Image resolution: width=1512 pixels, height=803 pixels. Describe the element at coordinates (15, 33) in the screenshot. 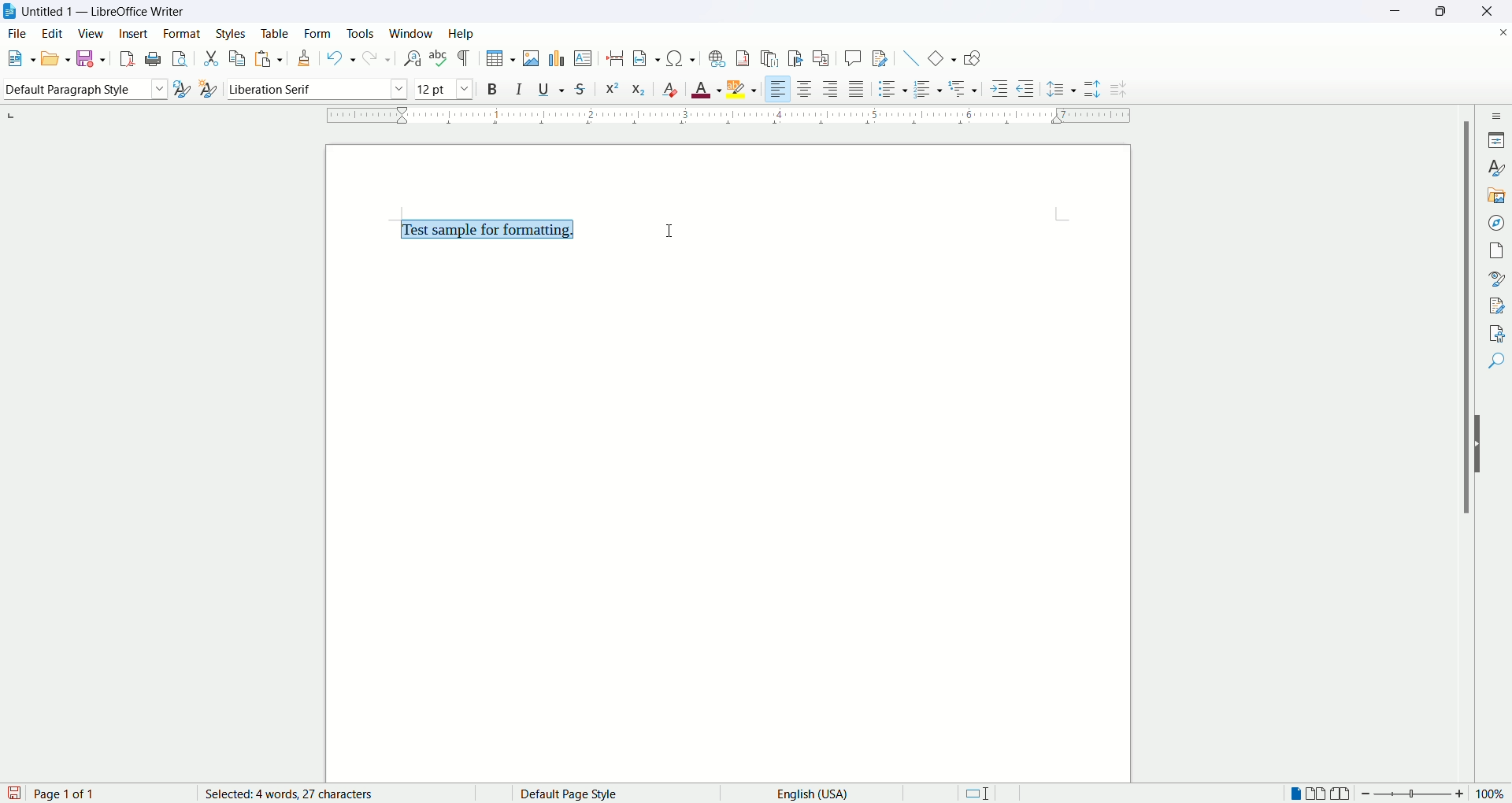

I see `file` at that location.